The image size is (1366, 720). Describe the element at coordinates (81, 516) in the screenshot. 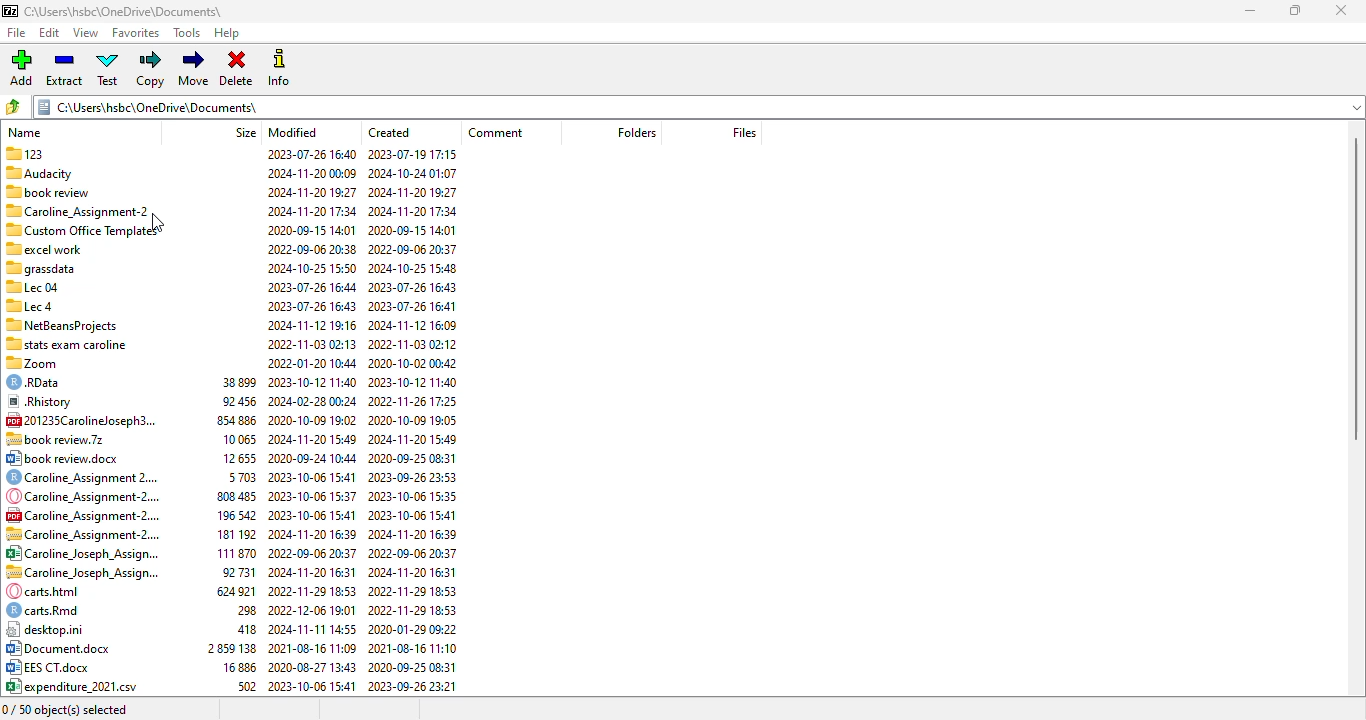

I see ` Caroline Assignment-2.` at that location.